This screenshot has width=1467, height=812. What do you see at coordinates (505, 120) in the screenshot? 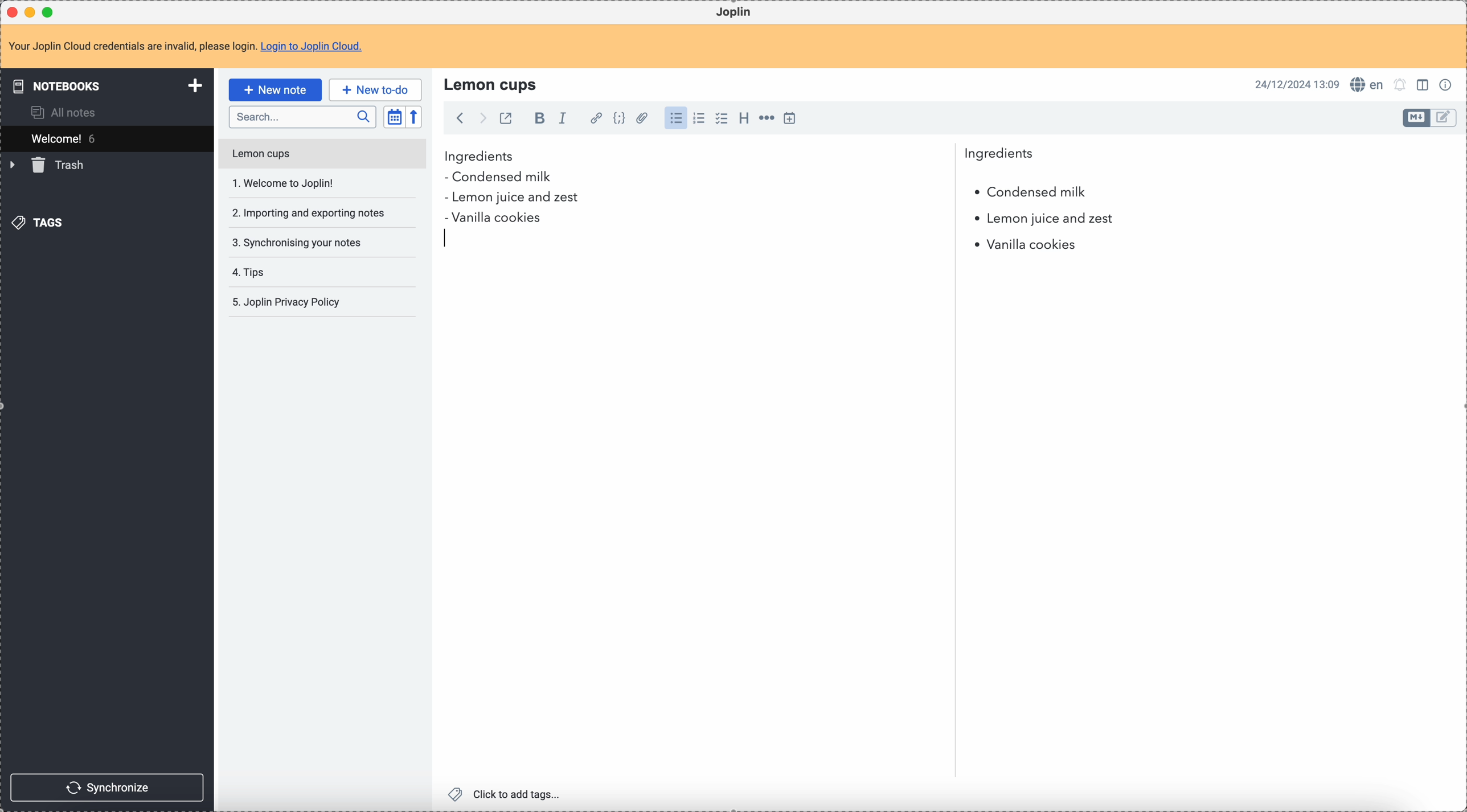
I see `toggle external editing` at bounding box center [505, 120].